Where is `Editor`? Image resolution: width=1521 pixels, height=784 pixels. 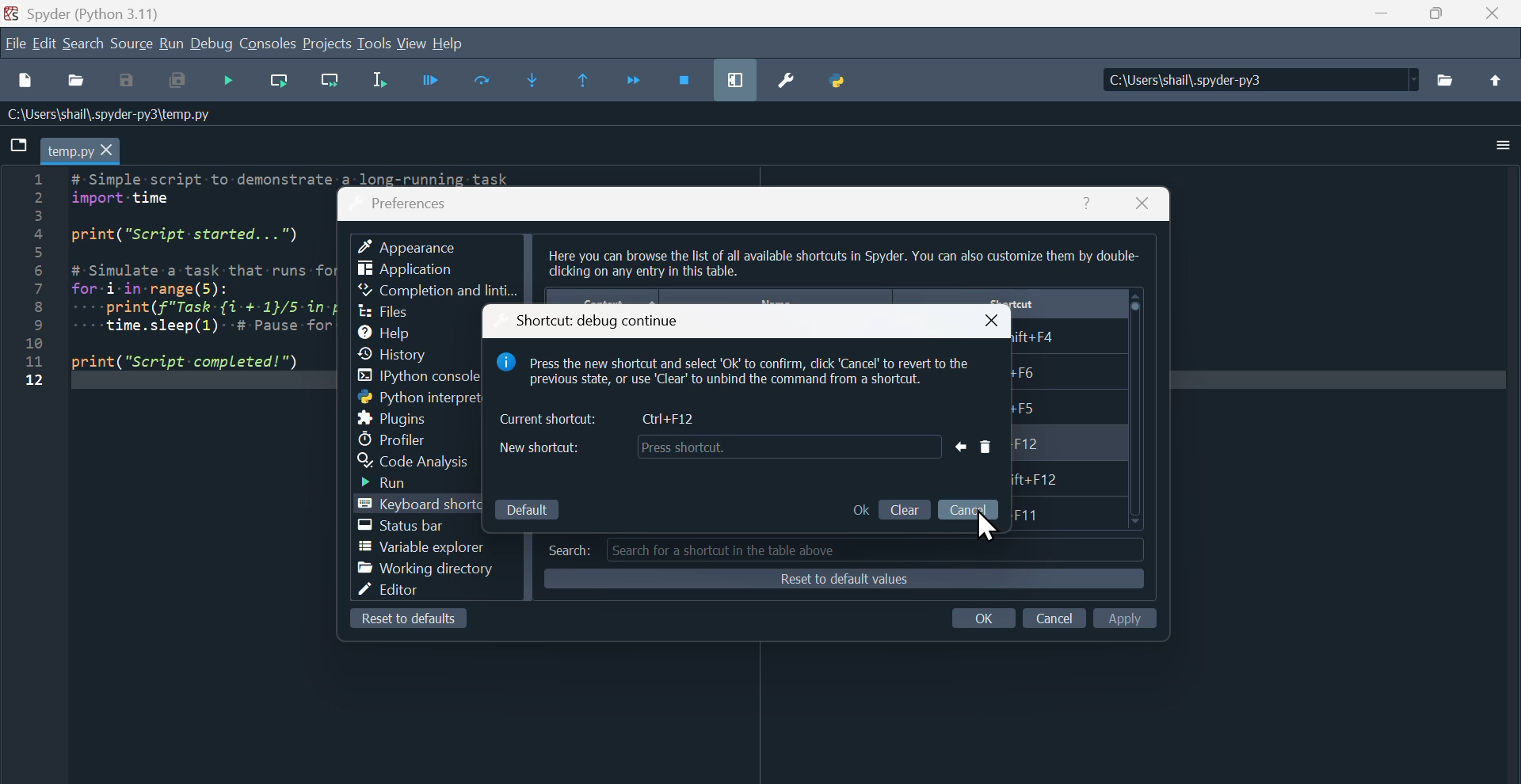
Editor is located at coordinates (401, 593).